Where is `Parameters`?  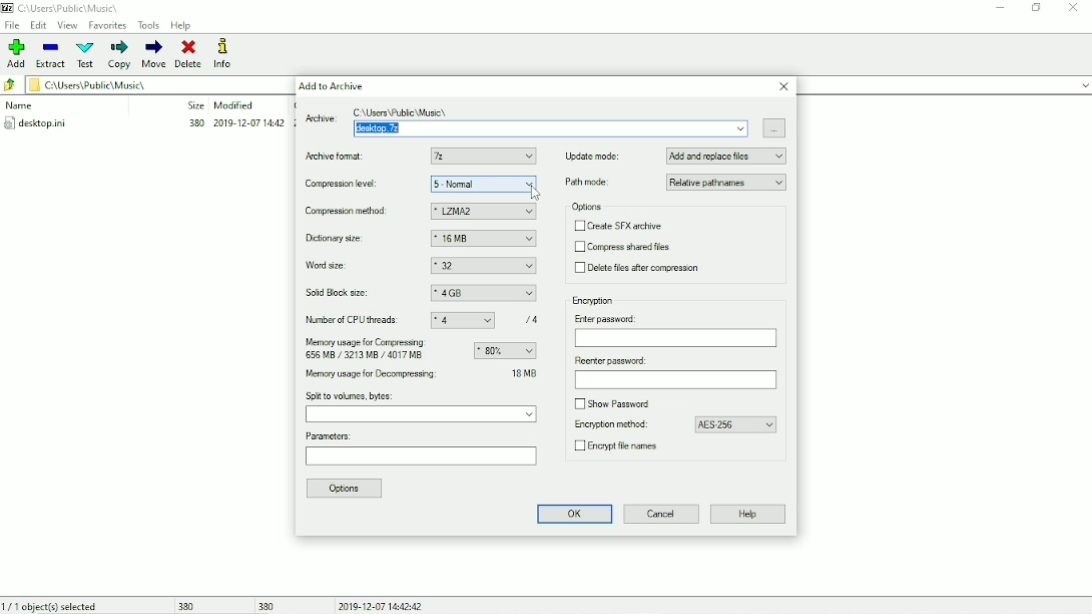 Parameters is located at coordinates (330, 436).